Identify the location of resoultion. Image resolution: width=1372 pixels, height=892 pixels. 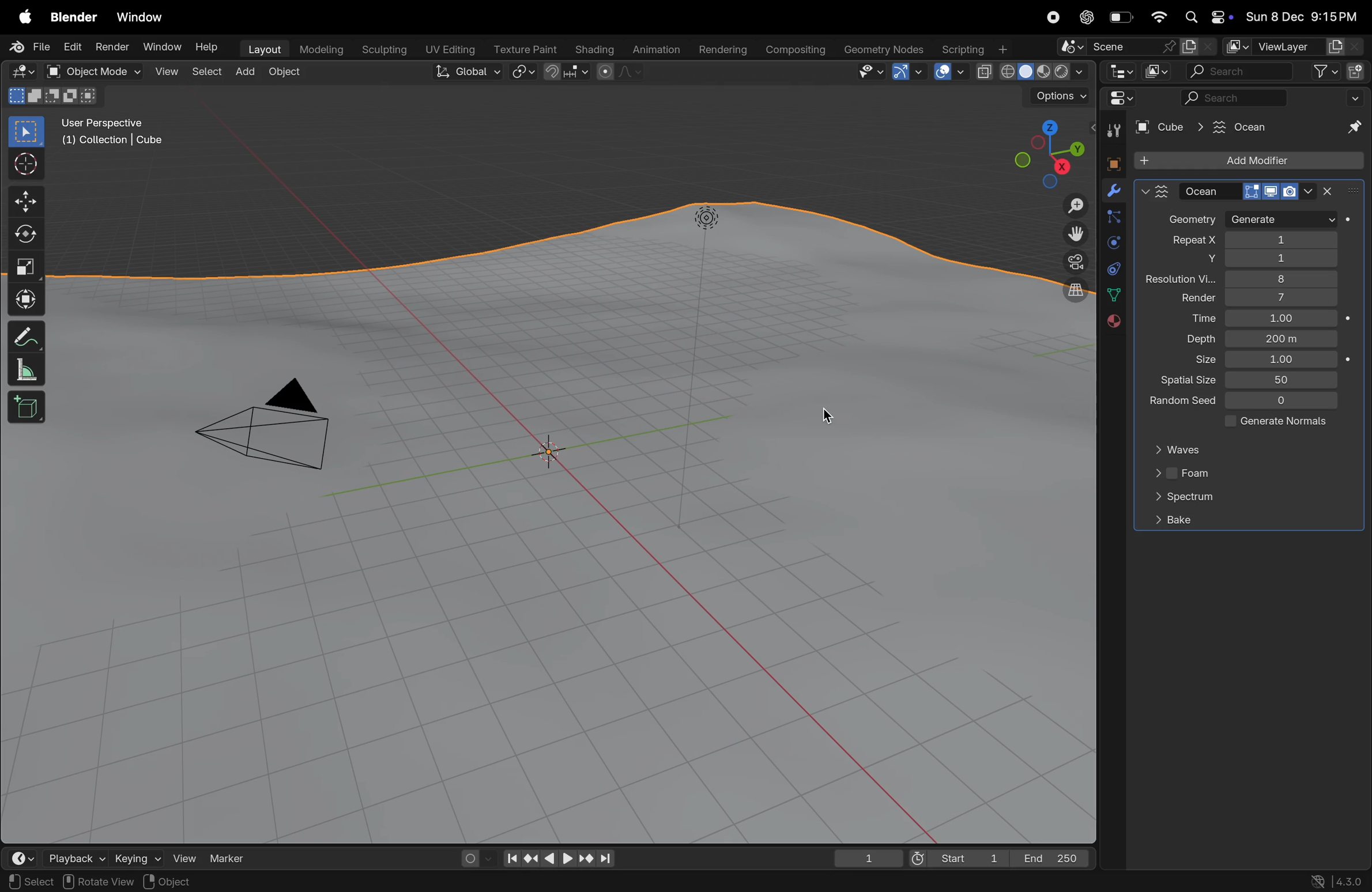
(1181, 279).